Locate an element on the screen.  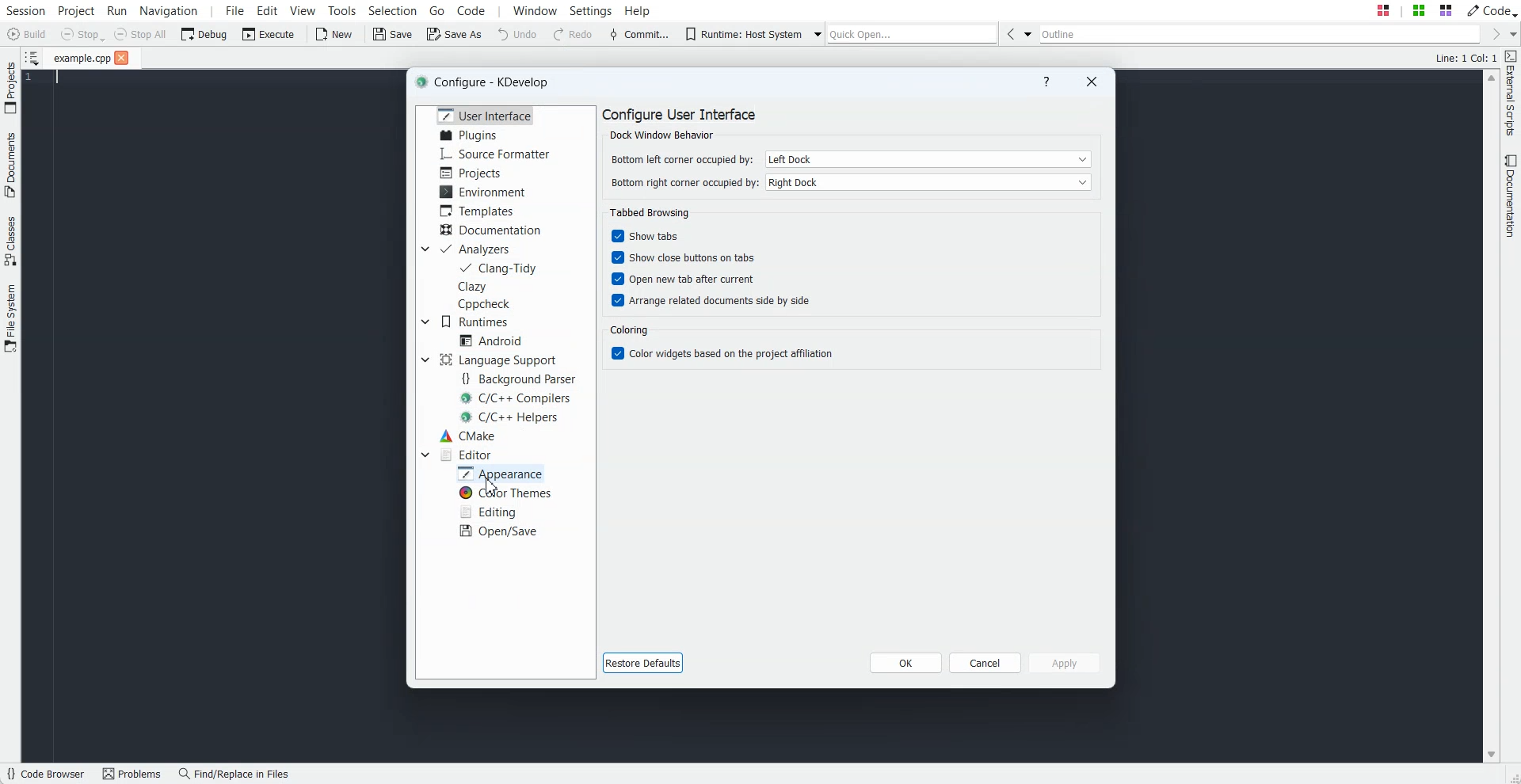
Drop down box is located at coordinates (425, 455).